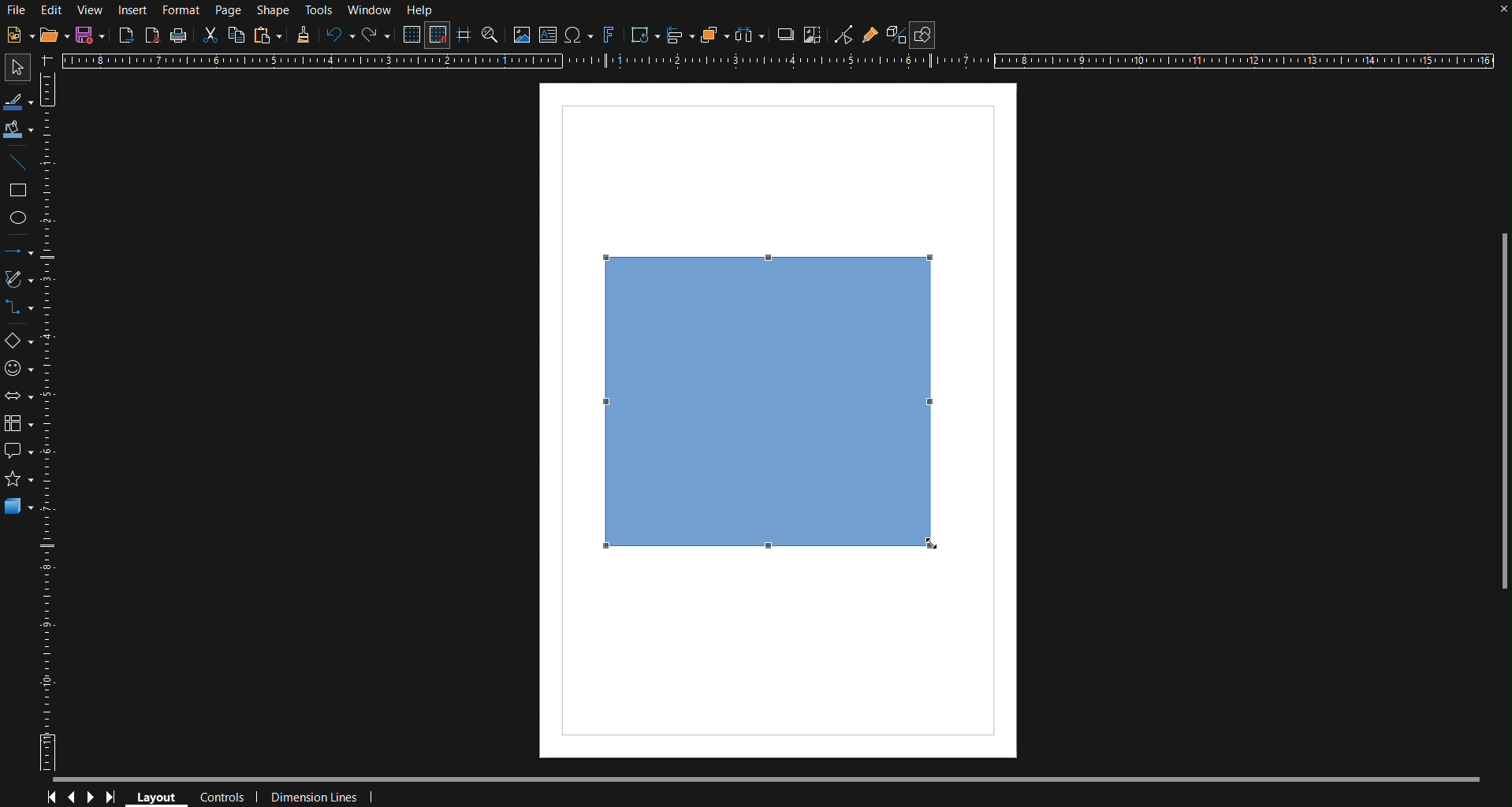 This screenshot has width=1512, height=807. Describe the element at coordinates (225, 798) in the screenshot. I see `Controls` at that location.